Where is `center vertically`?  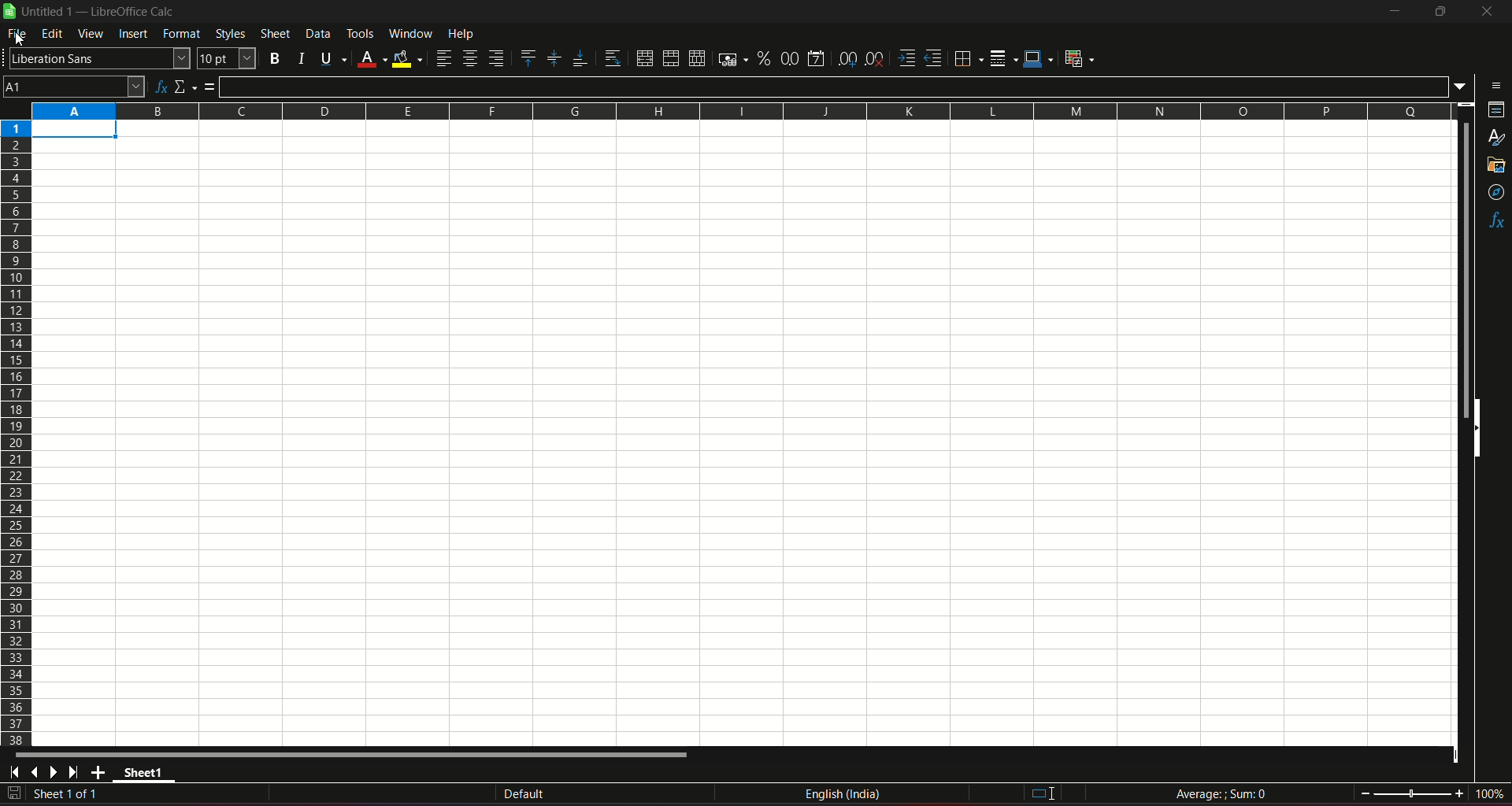
center vertically is located at coordinates (553, 58).